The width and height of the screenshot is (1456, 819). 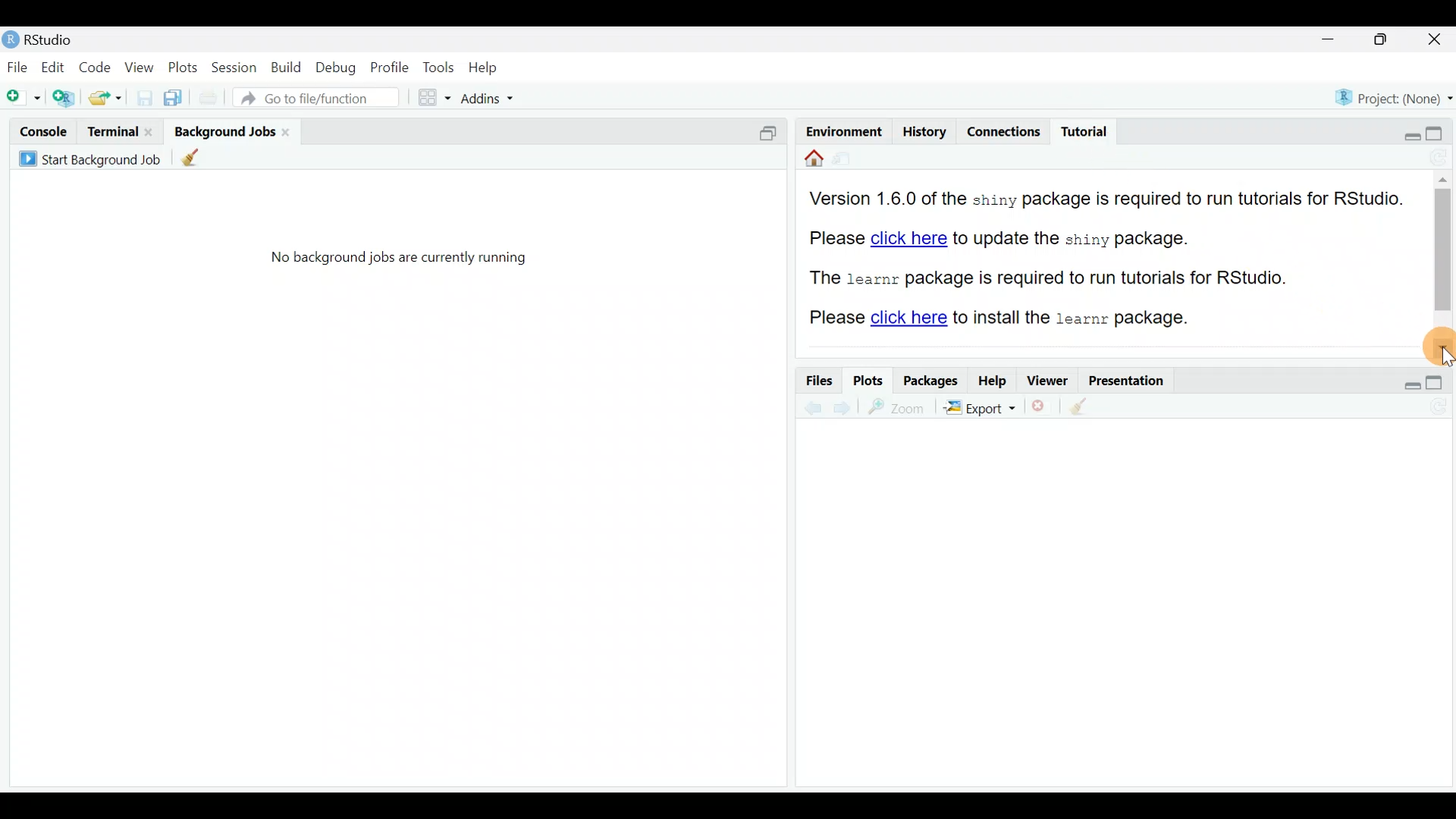 What do you see at coordinates (1392, 98) in the screenshot?
I see `Project: (None)` at bounding box center [1392, 98].